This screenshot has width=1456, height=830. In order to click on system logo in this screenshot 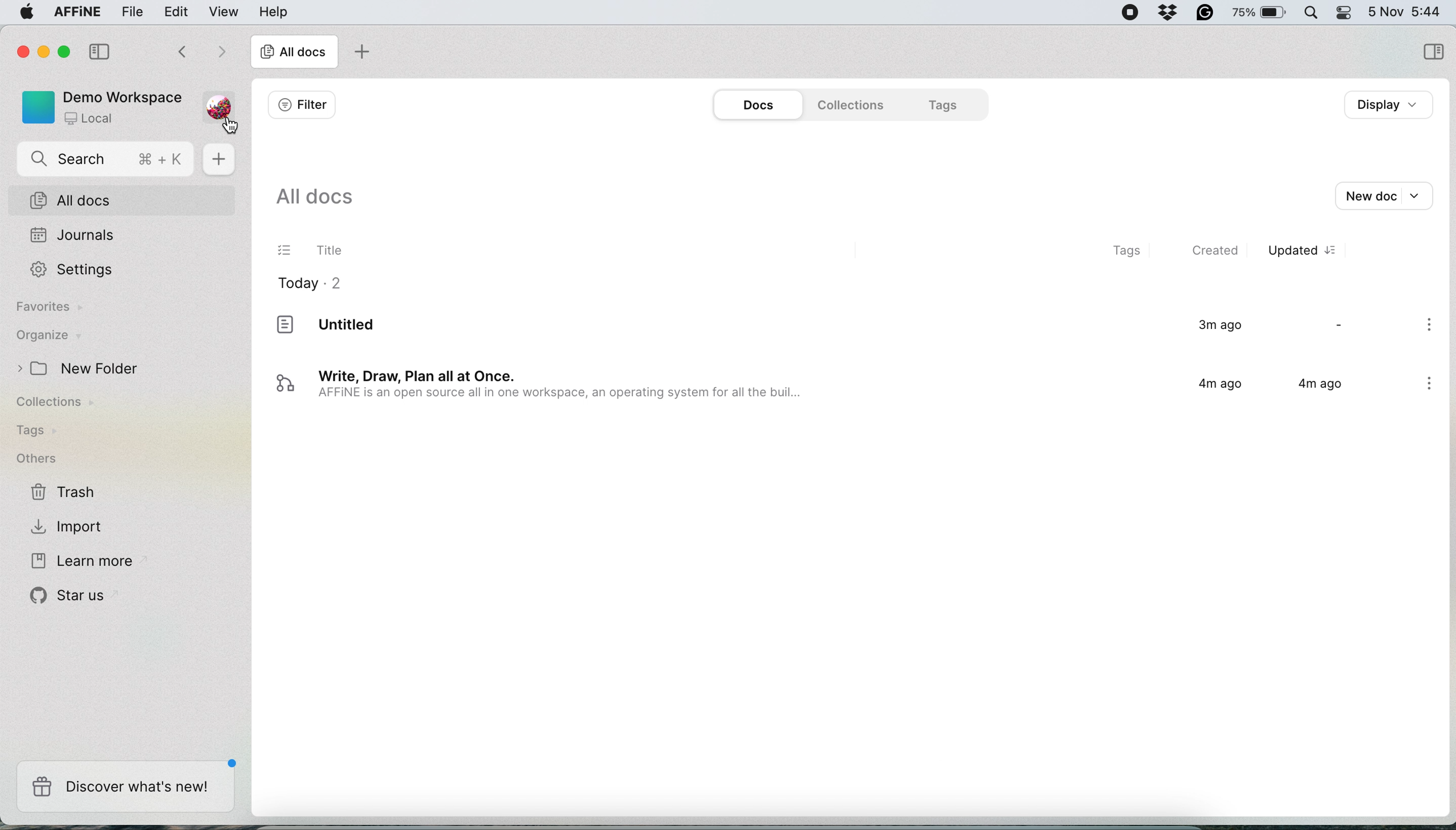, I will do `click(22, 14)`.